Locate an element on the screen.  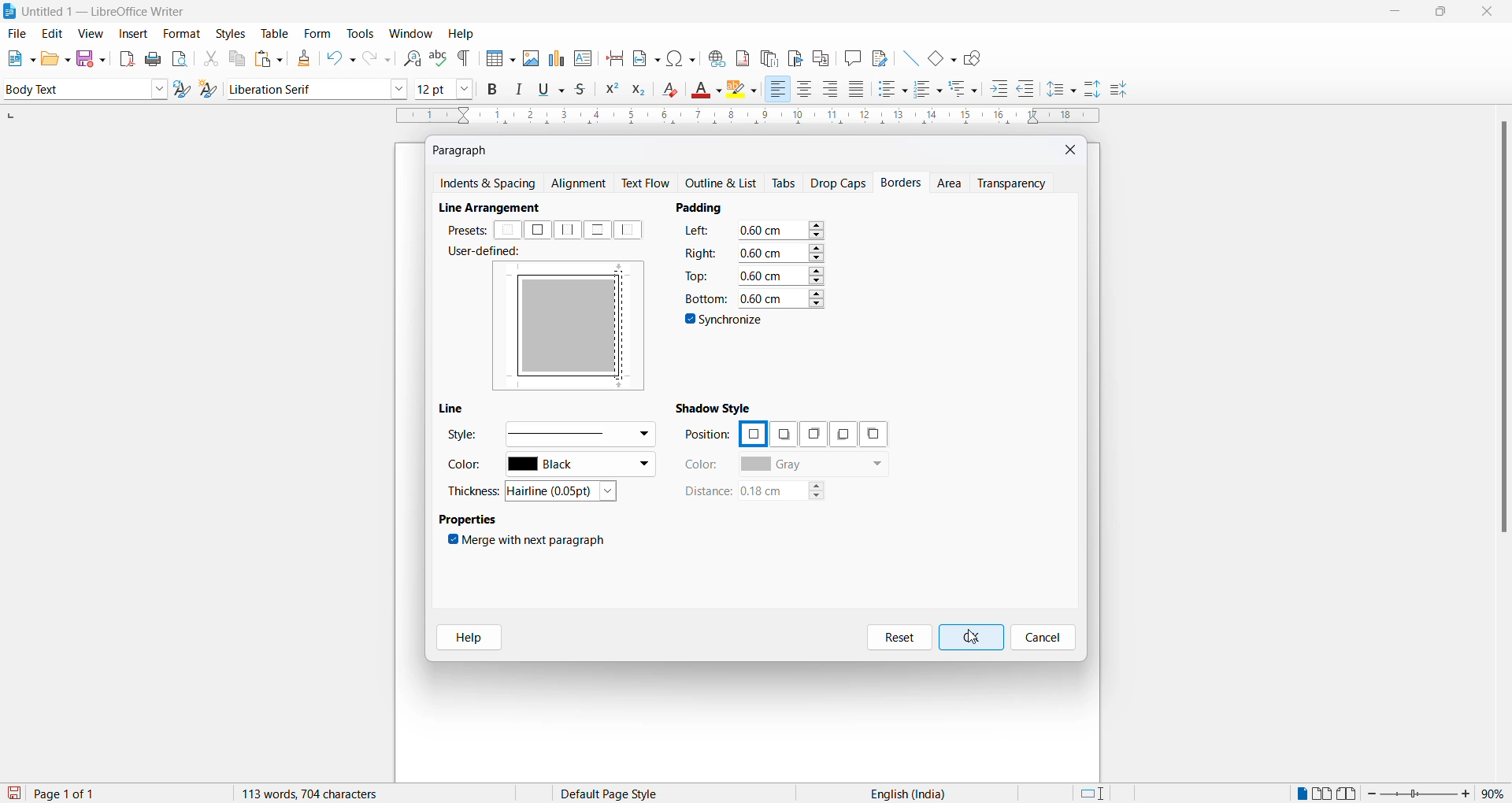
insert special character is located at coordinates (680, 56).